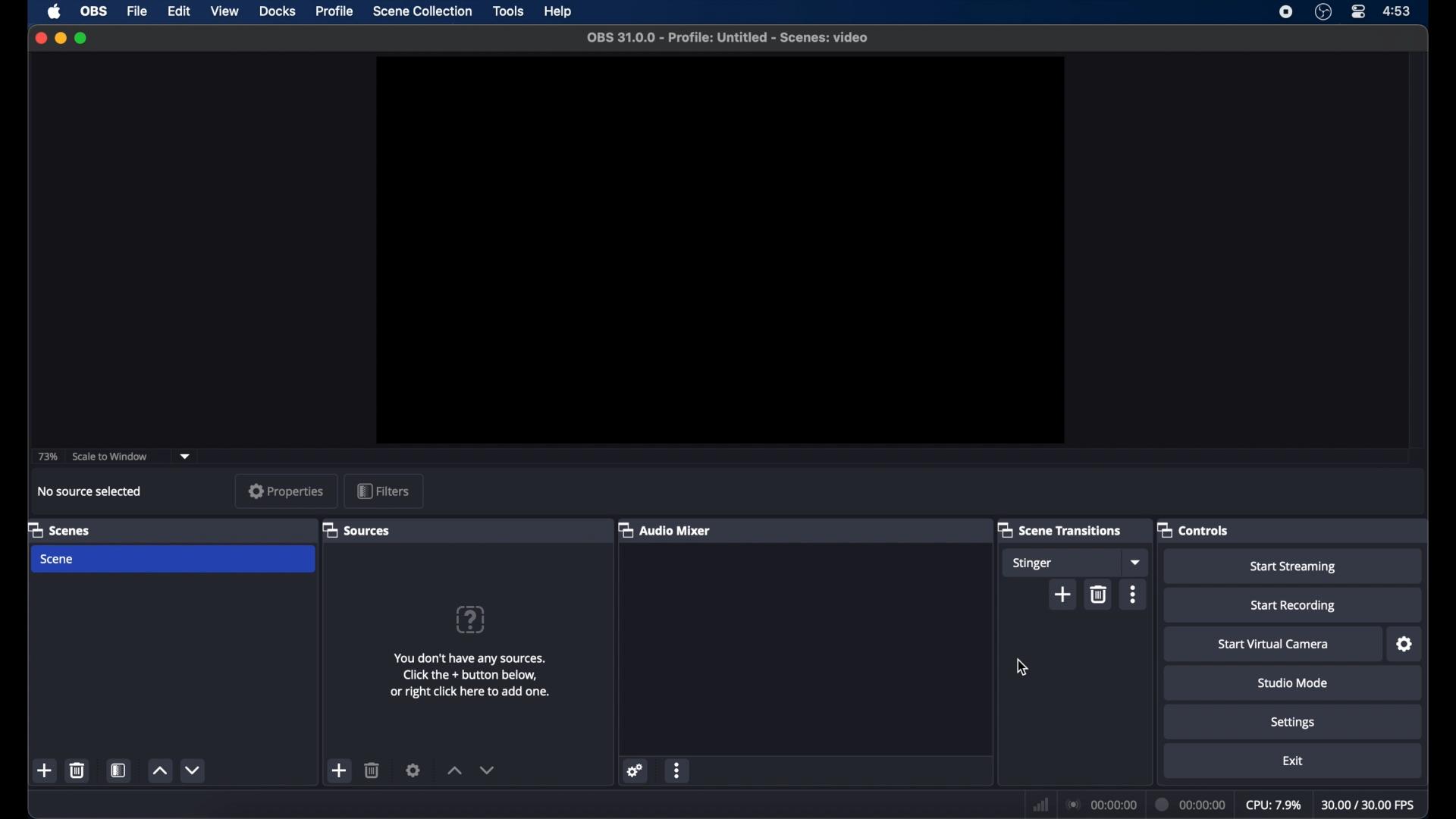 Image resolution: width=1456 pixels, height=819 pixels. Describe the element at coordinates (1137, 562) in the screenshot. I see `dropdown` at that location.